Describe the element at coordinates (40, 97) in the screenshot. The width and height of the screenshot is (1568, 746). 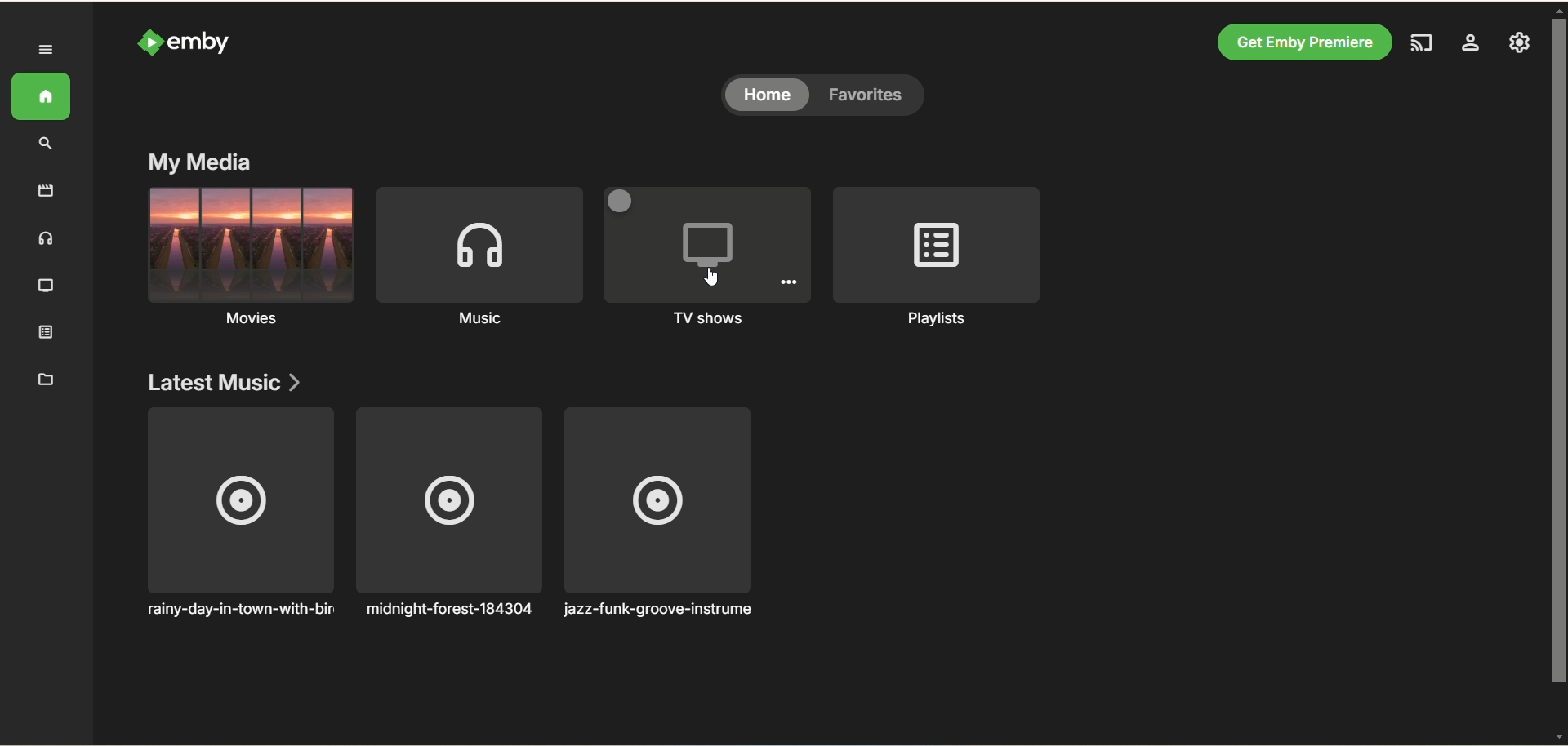
I see `home` at that location.